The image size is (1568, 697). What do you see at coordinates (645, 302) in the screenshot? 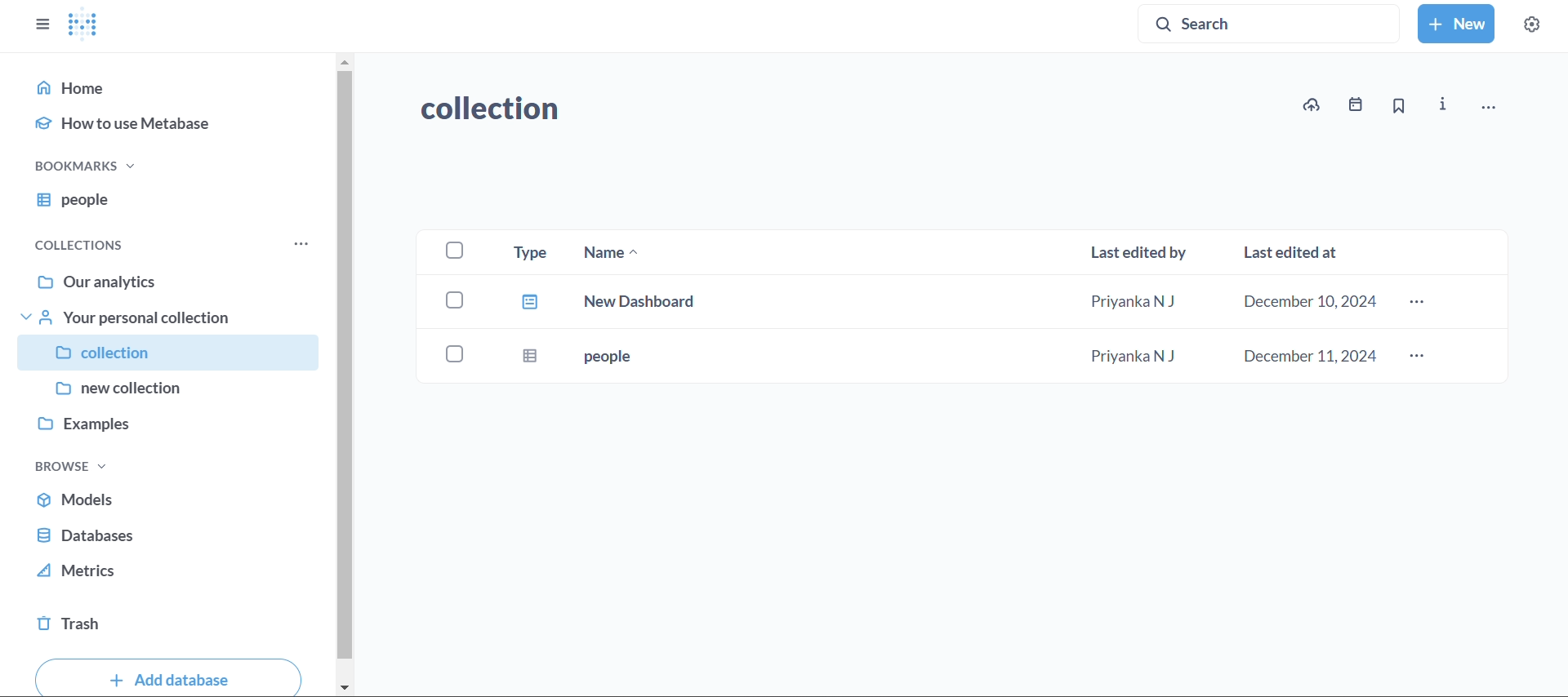
I see `new dashboard` at bounding box center [645, 302].